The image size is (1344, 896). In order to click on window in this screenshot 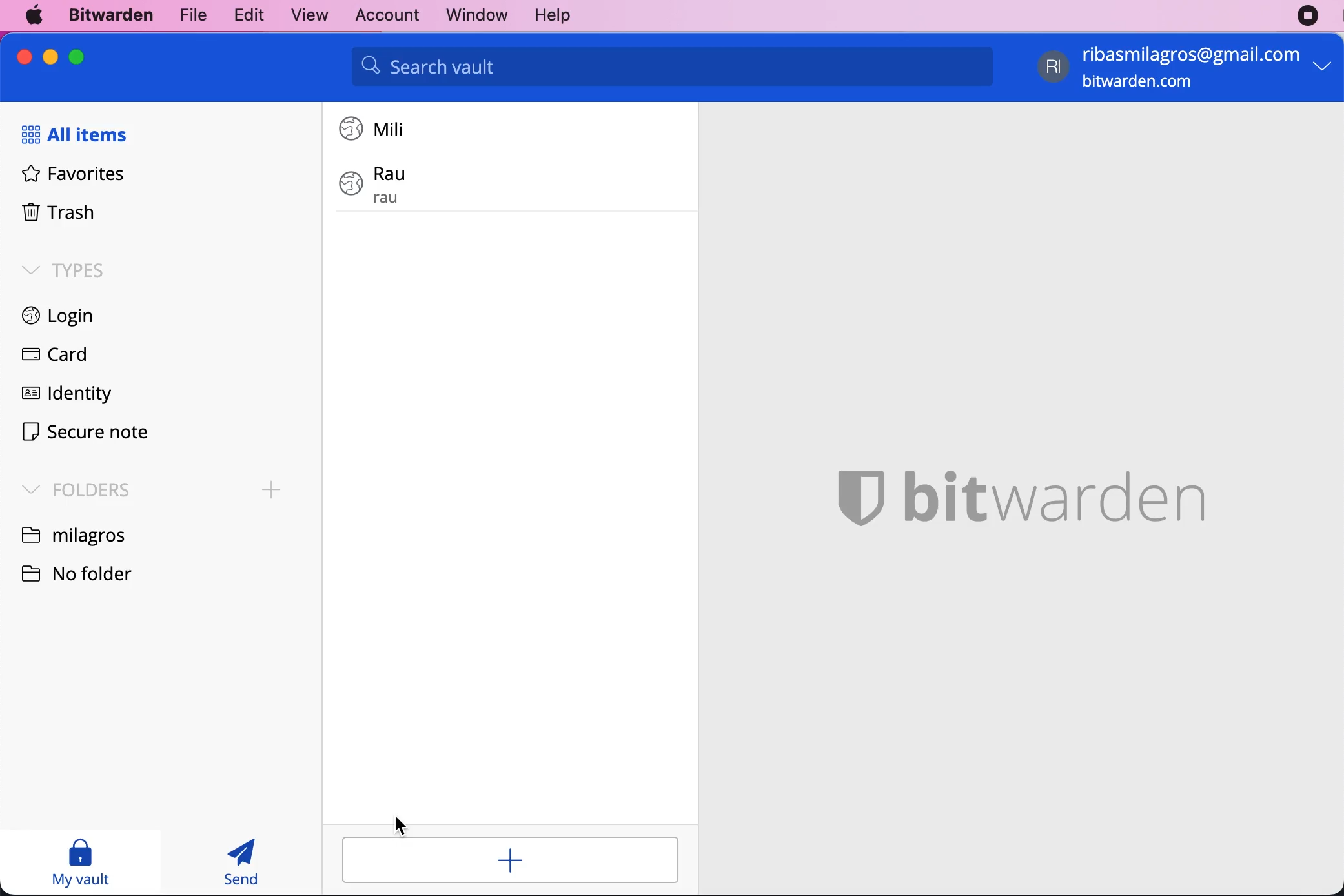, I will do `click(469, 15)`.